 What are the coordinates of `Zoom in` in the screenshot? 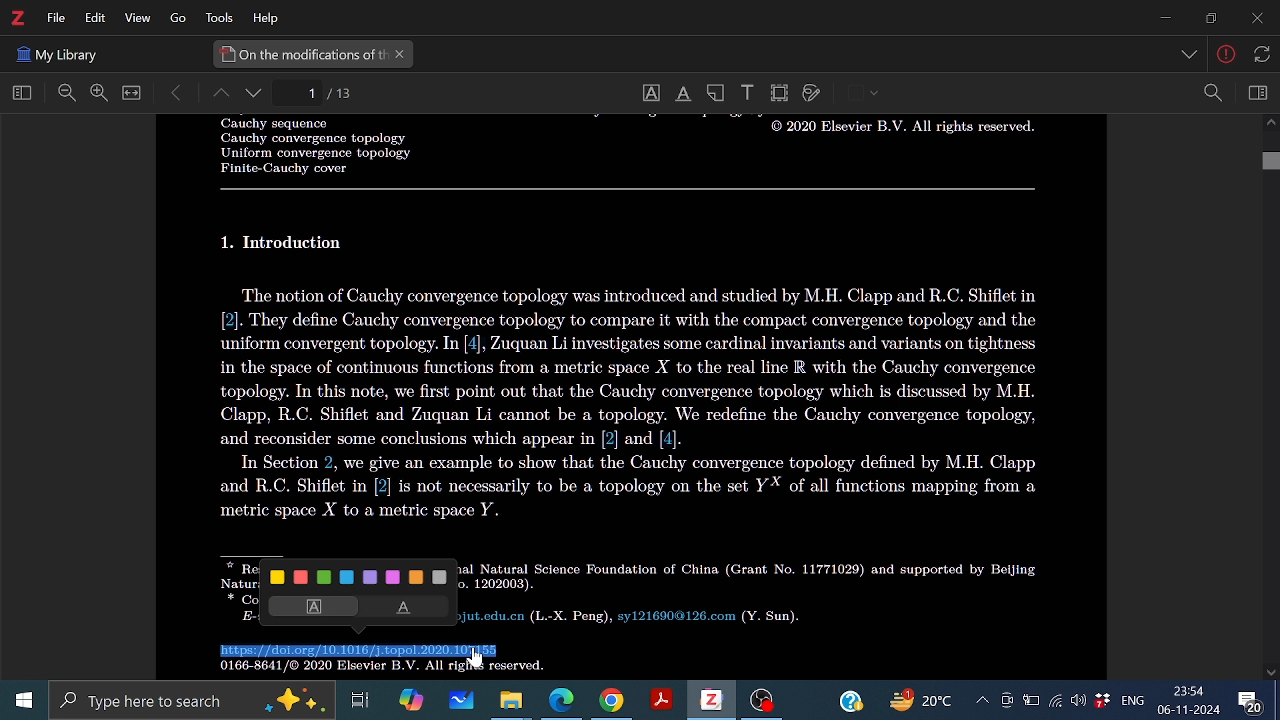 It's located at (98, 93).